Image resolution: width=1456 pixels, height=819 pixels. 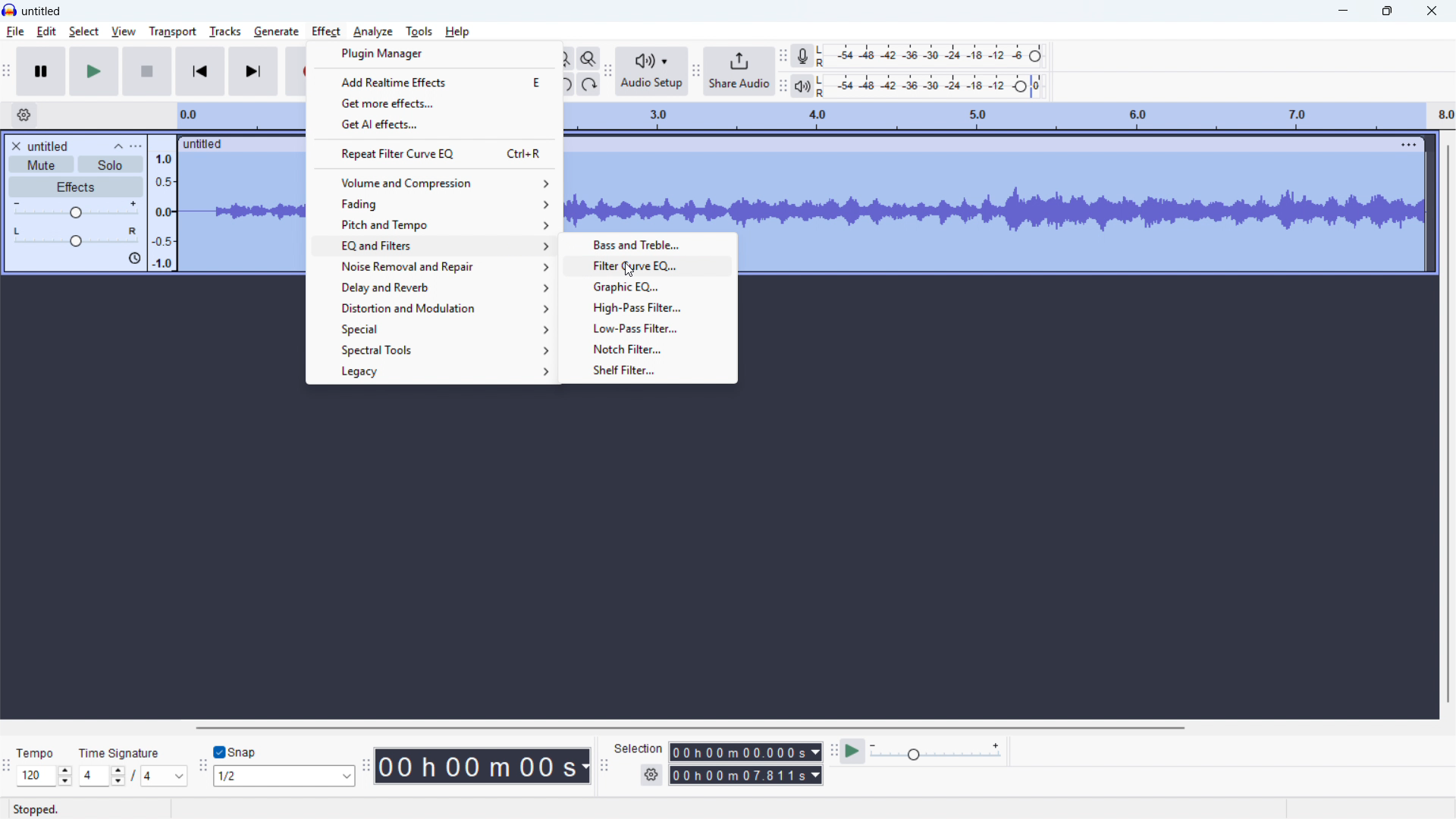 What do you see at coordinates (435, 203) in the screenshot?
I see `Fading ` at bounding box center [435, 203].